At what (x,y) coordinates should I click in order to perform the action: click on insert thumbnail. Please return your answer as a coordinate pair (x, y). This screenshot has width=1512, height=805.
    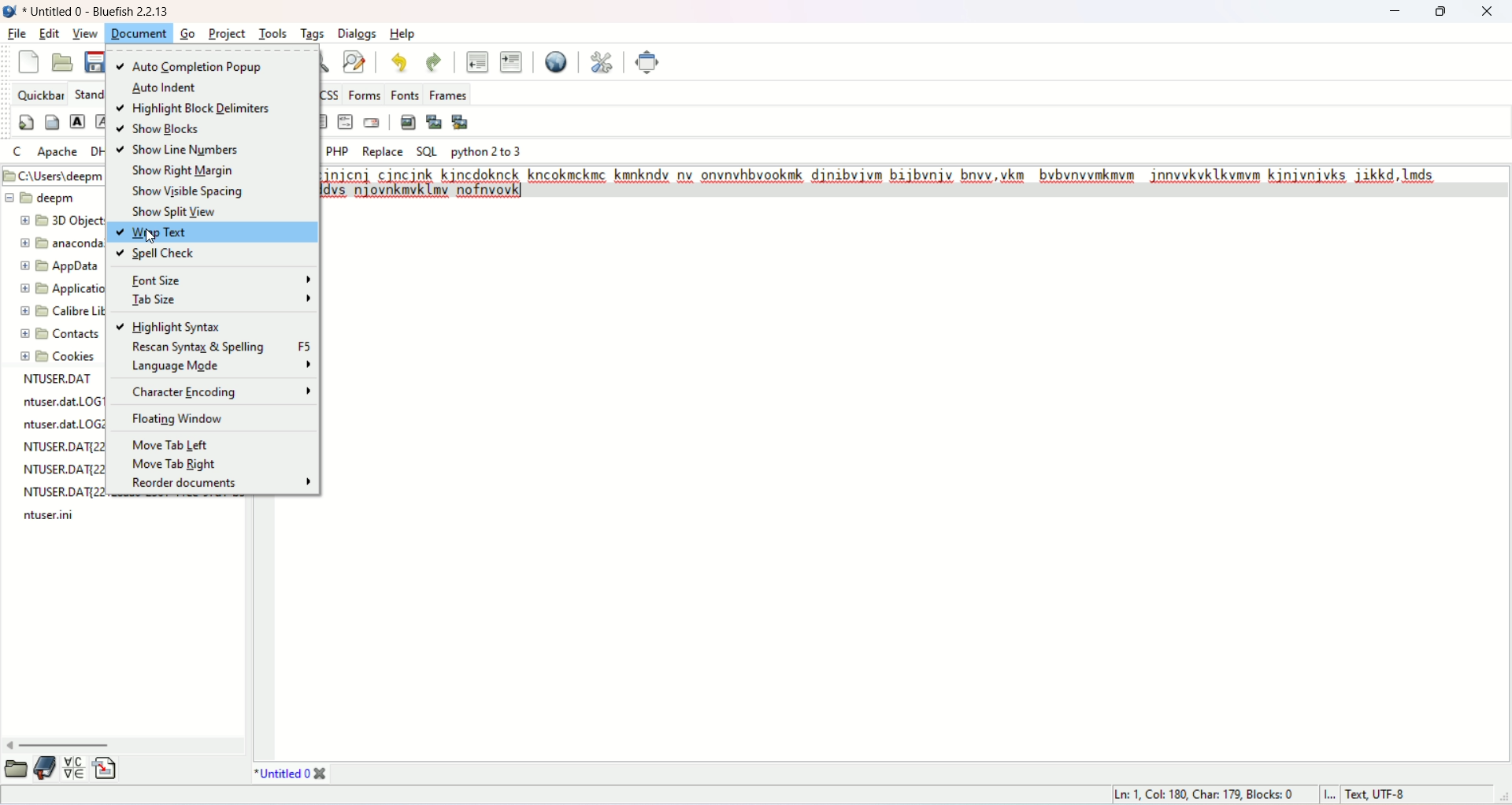
    Looking at the image, I should click on (435, 121).